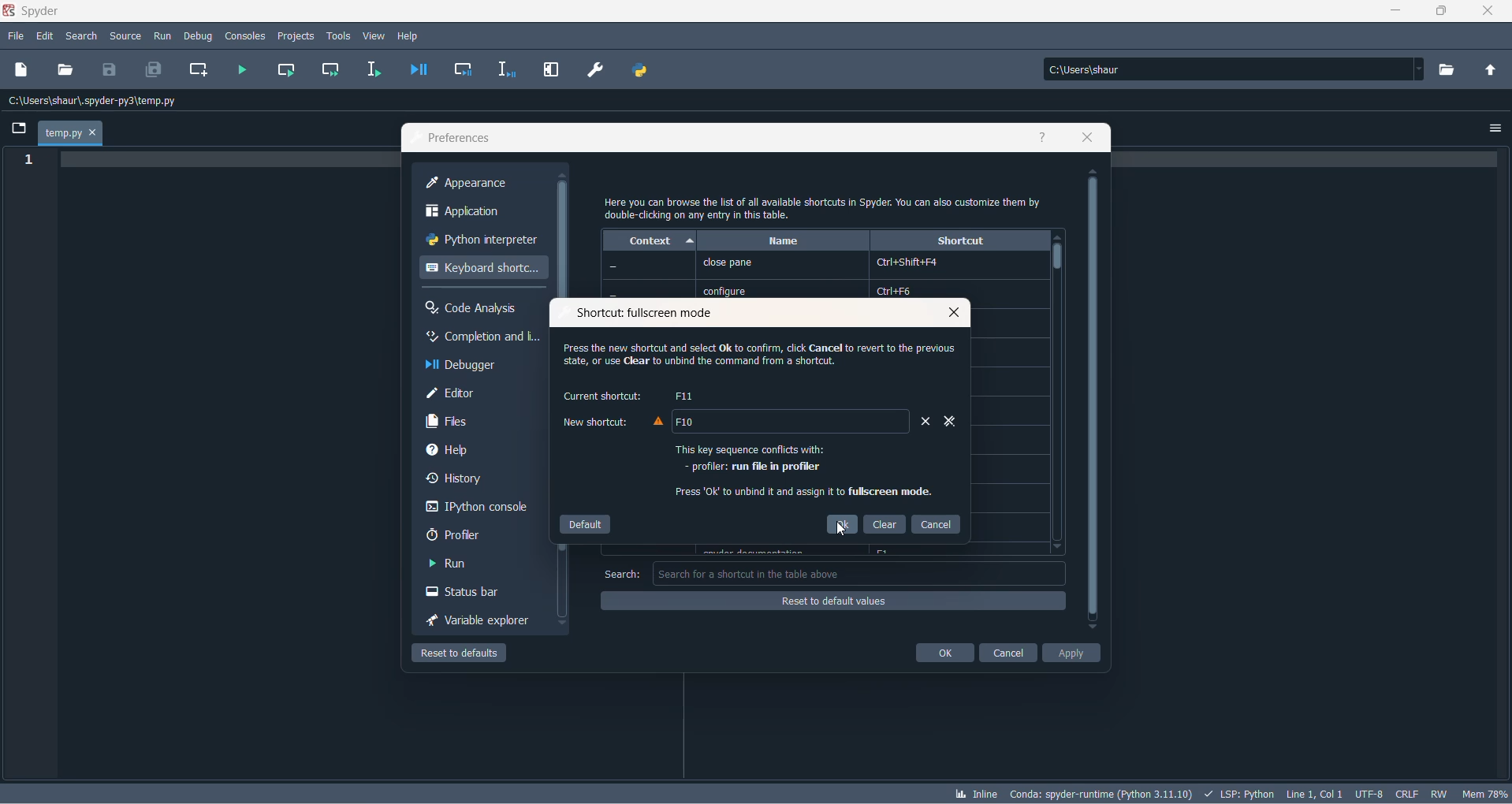 This screenshot has width=1512, height=804. I want to click on move up, so click(564, 175).